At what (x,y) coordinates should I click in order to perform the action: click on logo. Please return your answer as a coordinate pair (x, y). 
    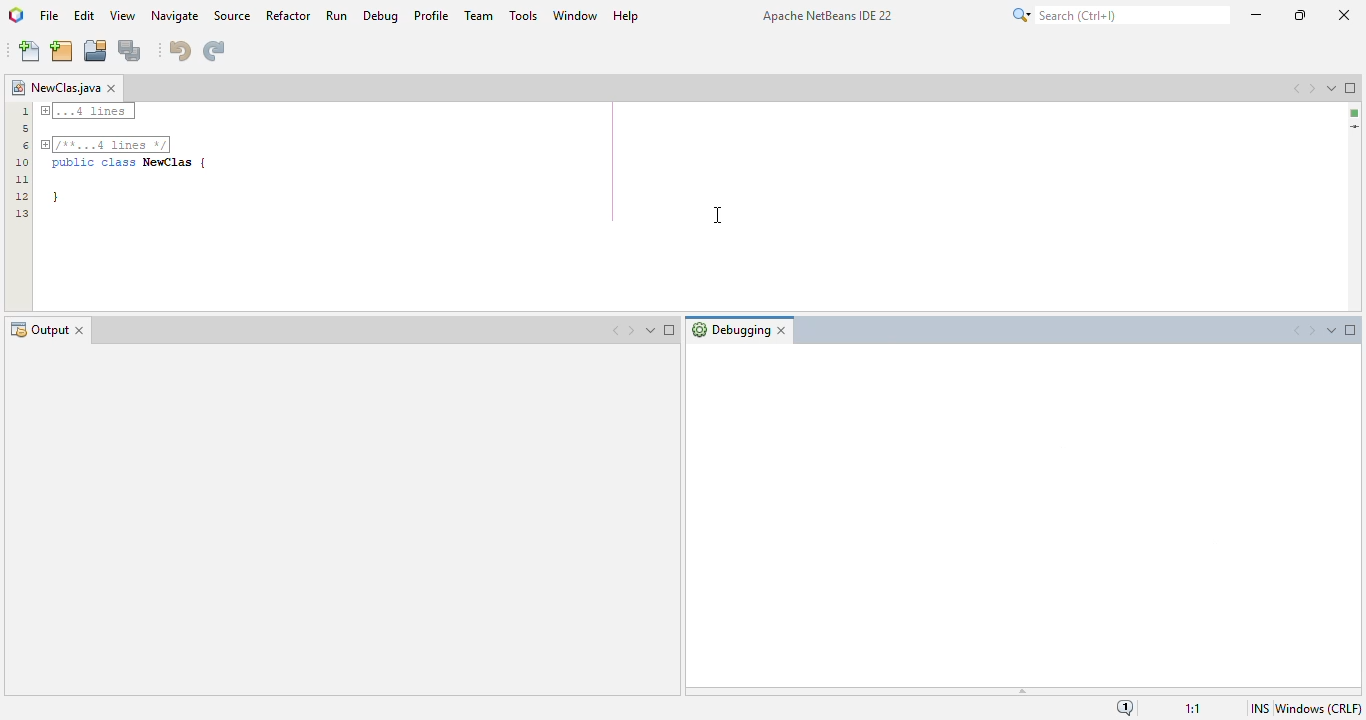
    Looking at the image, I should click on (17, 16).